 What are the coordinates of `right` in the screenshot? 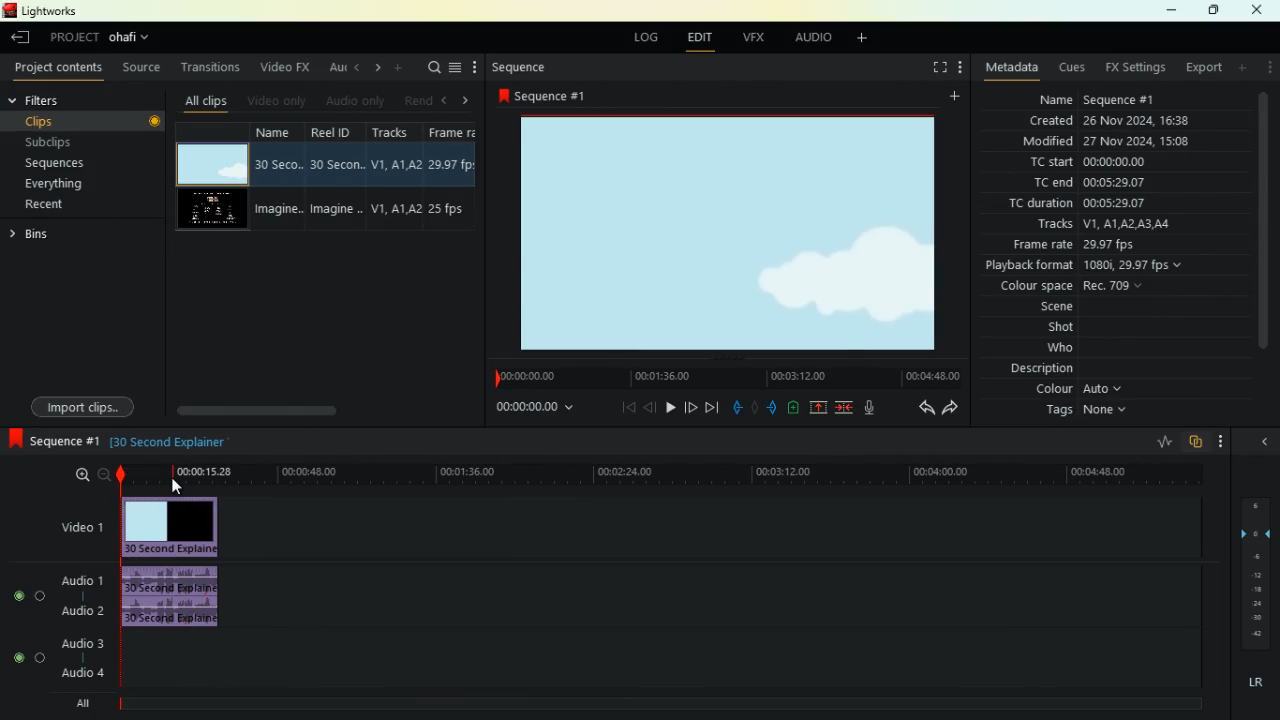 It's located at (379, 70).